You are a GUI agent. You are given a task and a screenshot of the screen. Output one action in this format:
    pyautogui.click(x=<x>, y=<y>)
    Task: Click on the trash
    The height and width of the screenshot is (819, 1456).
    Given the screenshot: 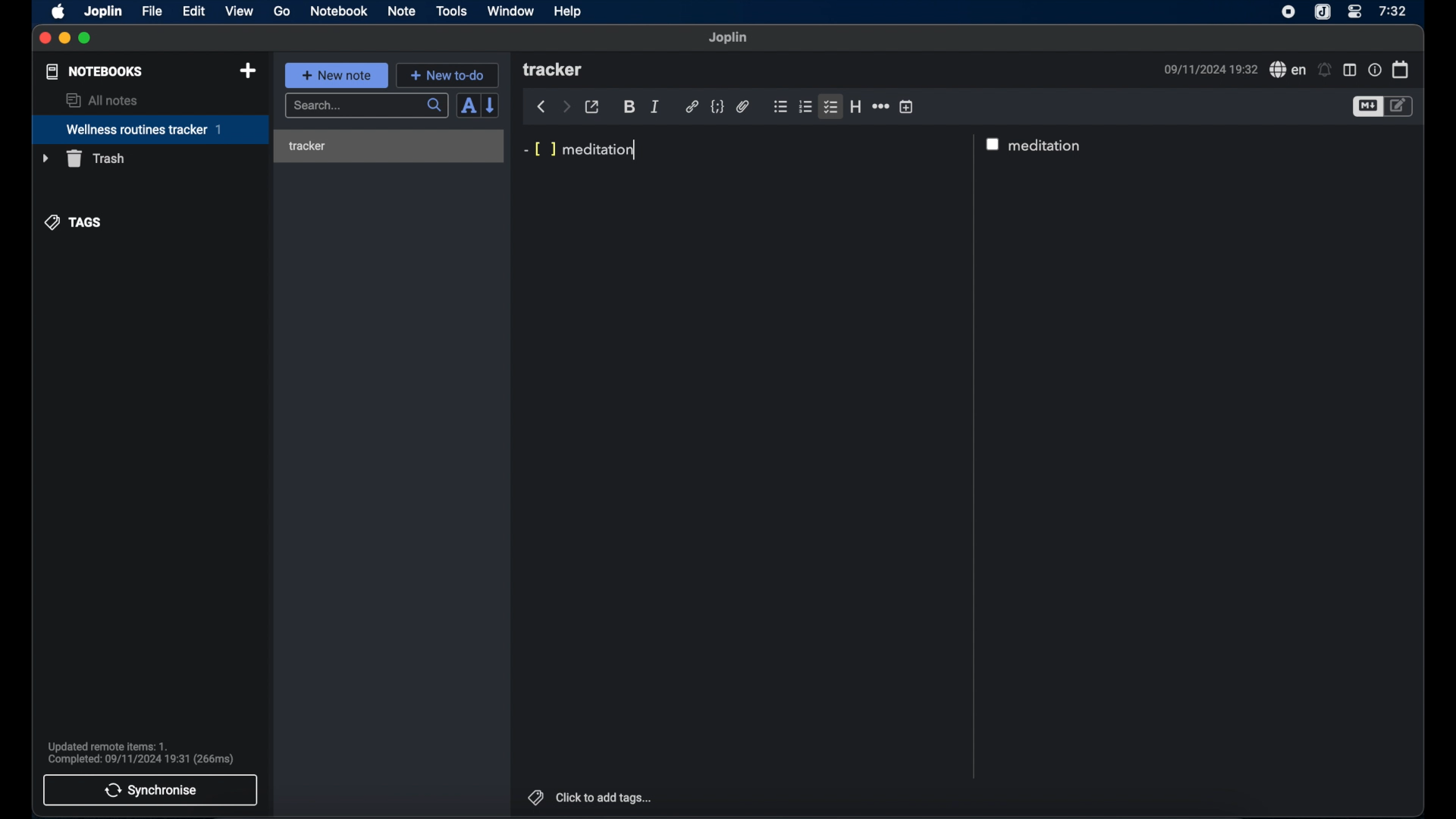 What is the action you would take?
    pyautogui.click(x=83, y=158)
    